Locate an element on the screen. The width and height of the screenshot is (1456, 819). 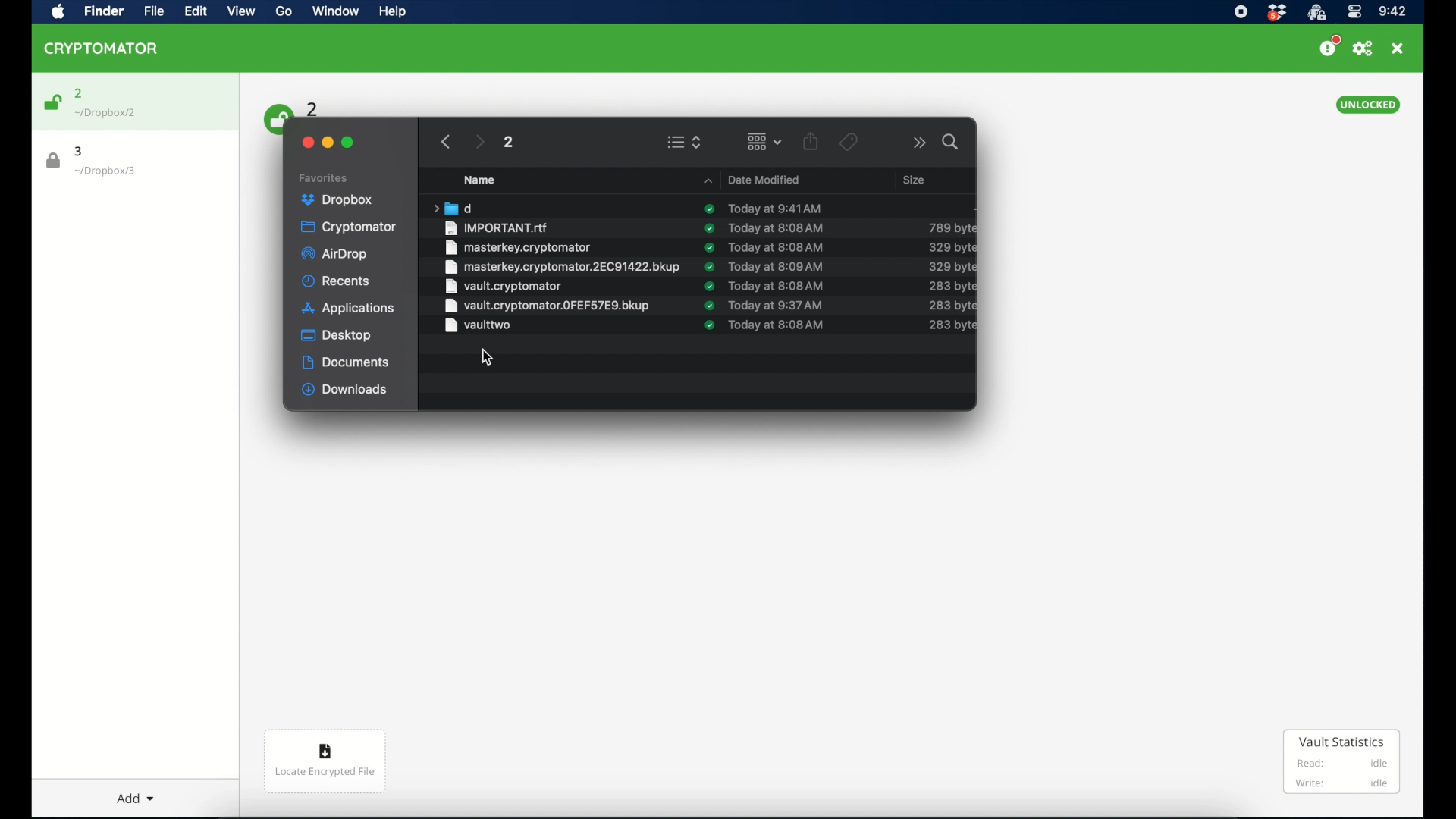
size is located at coordinates (951, 305).